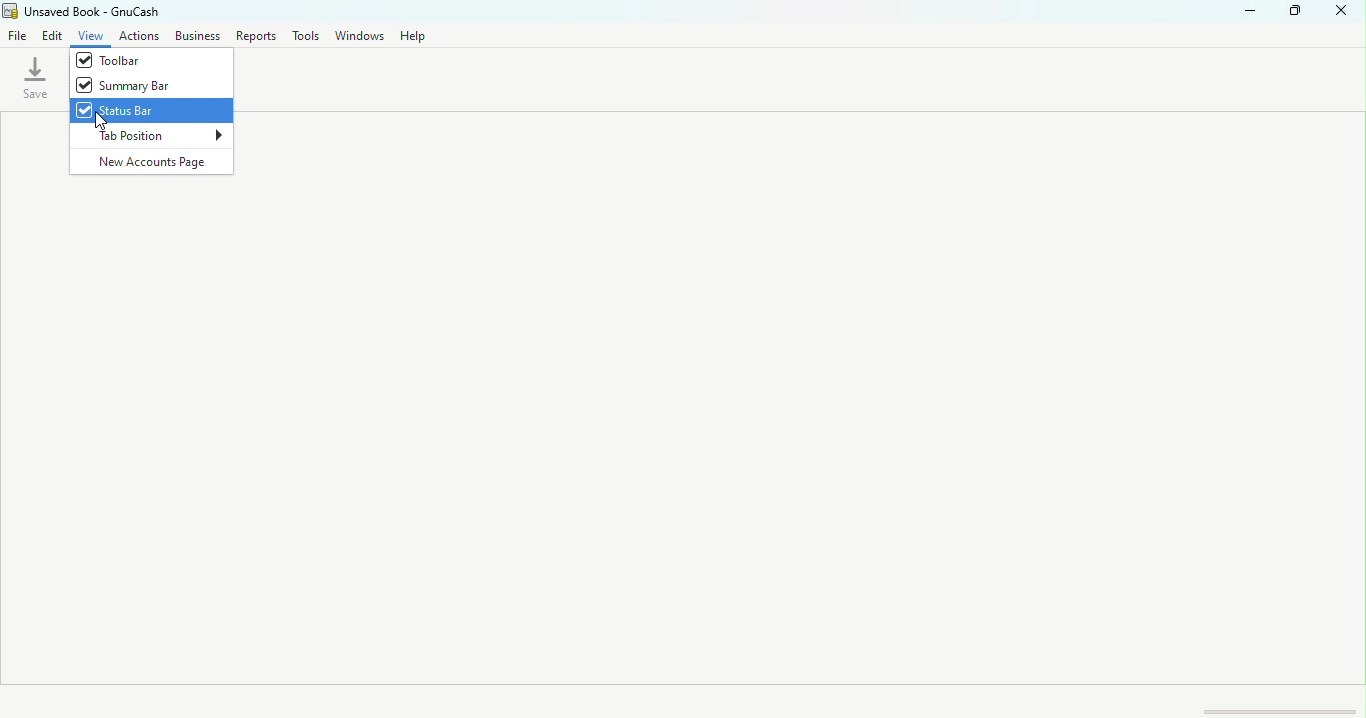 The height and width of the screenshot is (718, 1366). I want to click on Status bar, so click(685, 699).